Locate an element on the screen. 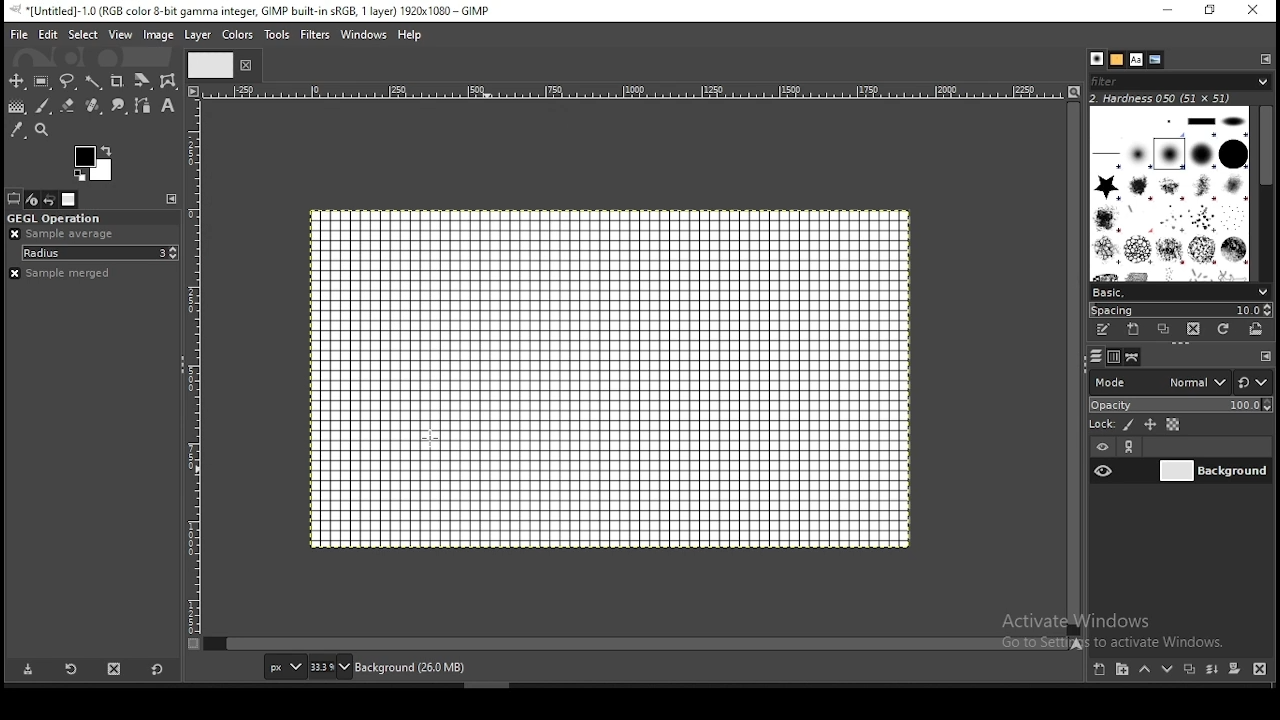 The height and width of the screenshot is (720, 1280). minimize is located at coordinates (1170, 12).